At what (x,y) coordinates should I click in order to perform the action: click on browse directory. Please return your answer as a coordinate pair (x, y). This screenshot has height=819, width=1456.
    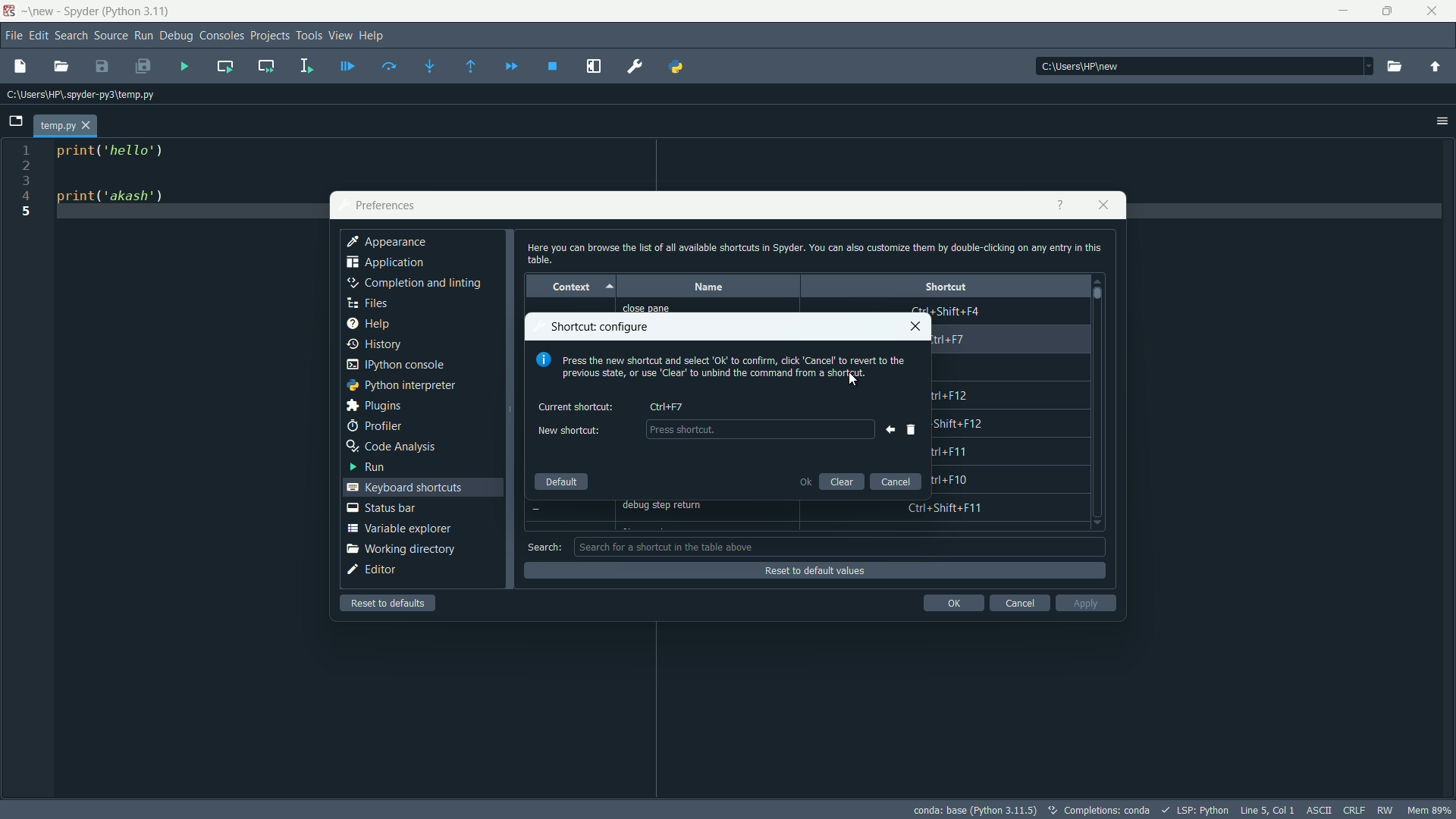
    Looking at the image, I should click on (1394, 67).